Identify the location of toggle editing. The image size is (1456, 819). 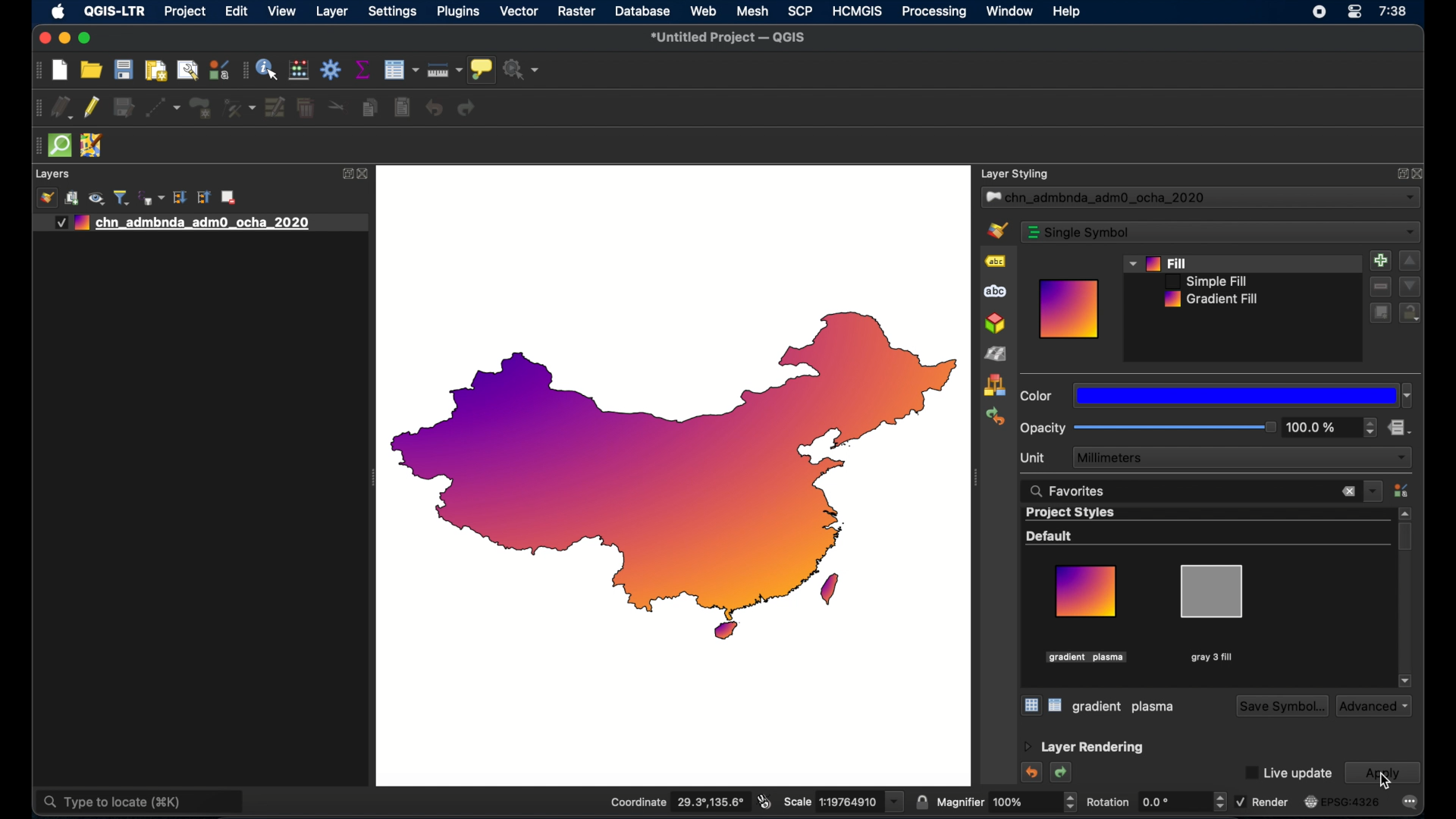
(92, 107).